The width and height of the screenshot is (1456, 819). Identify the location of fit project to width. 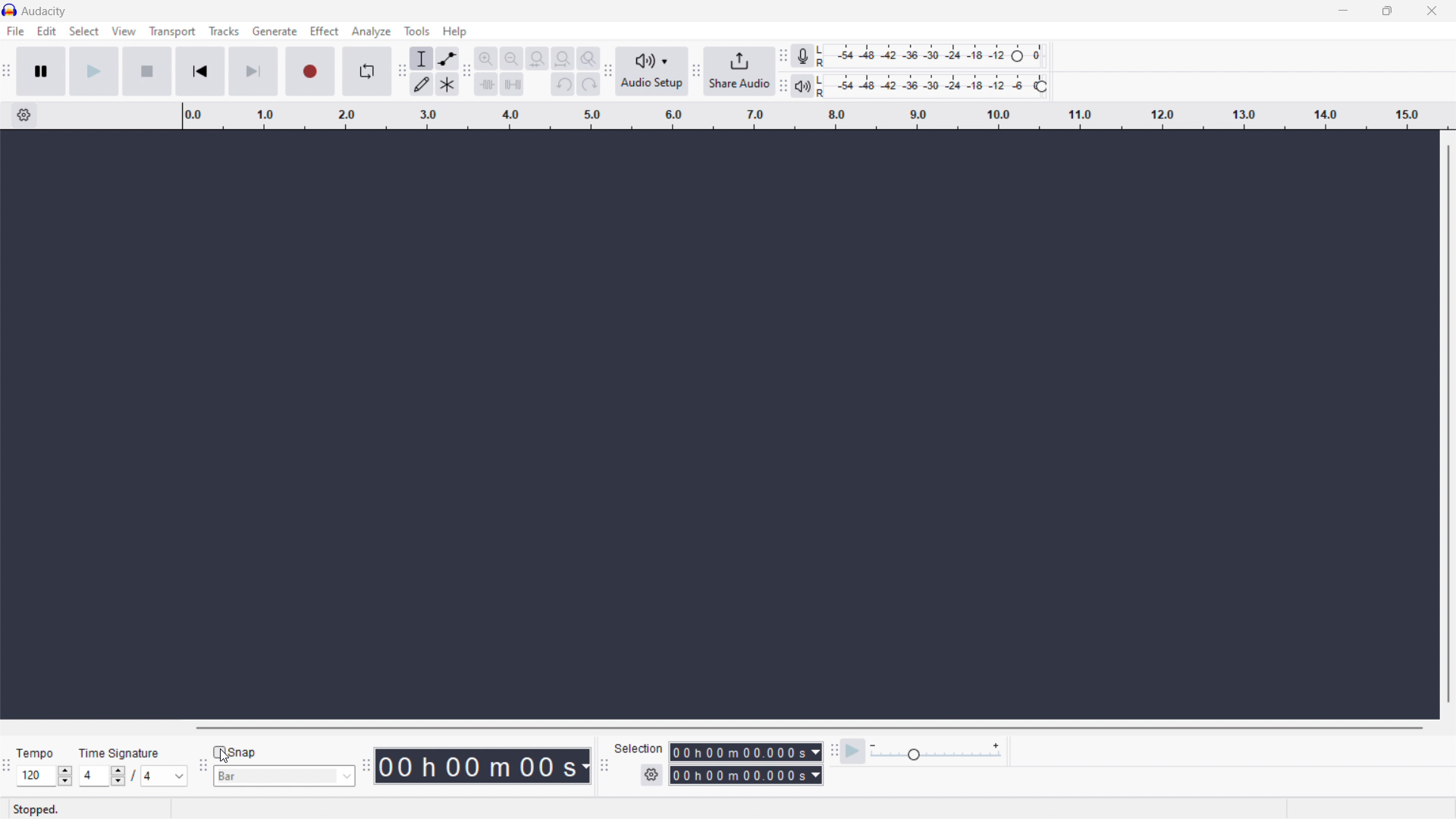
(563, 58).